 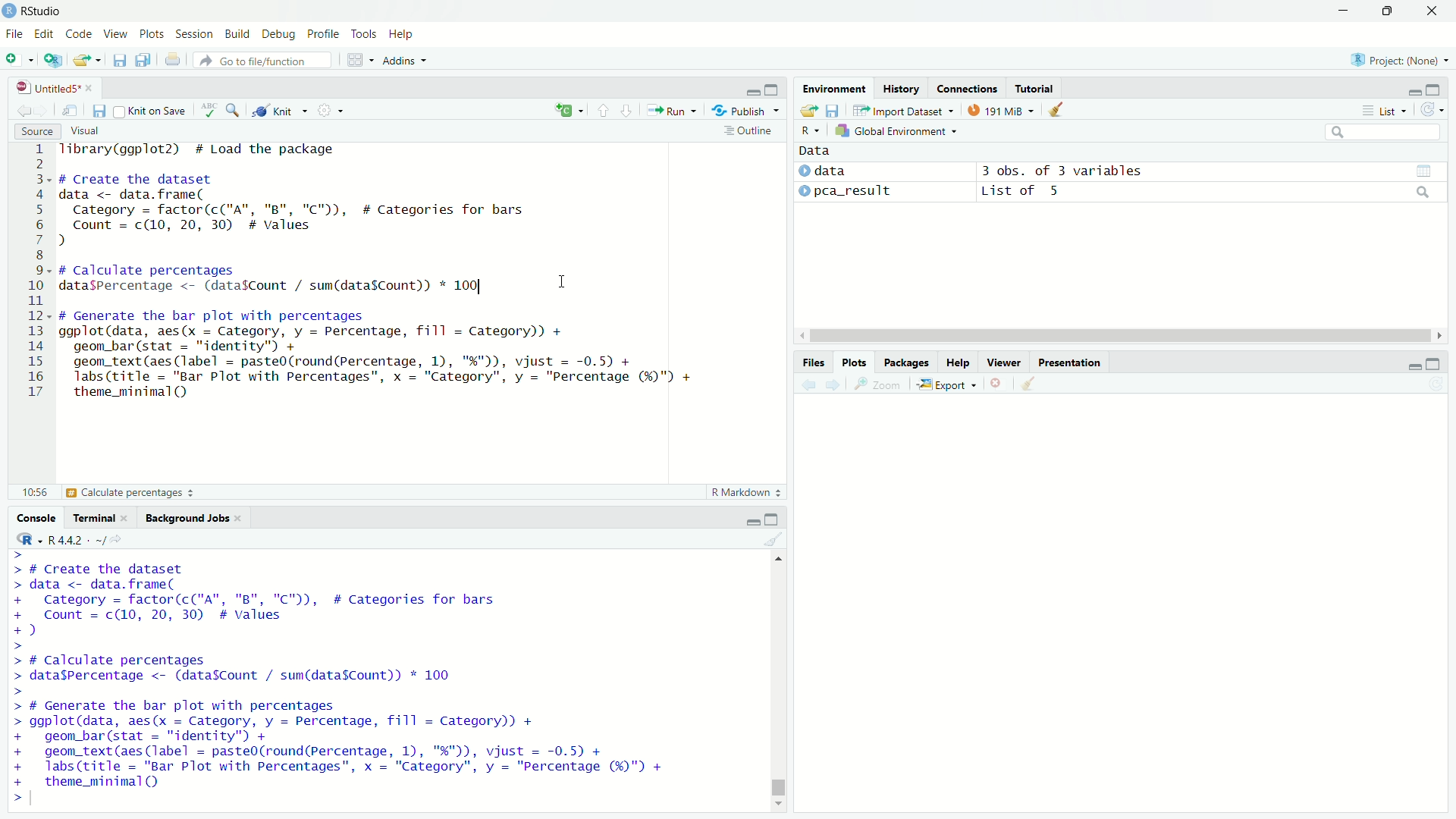 I want to click on outline, so click(x=748, y=133).